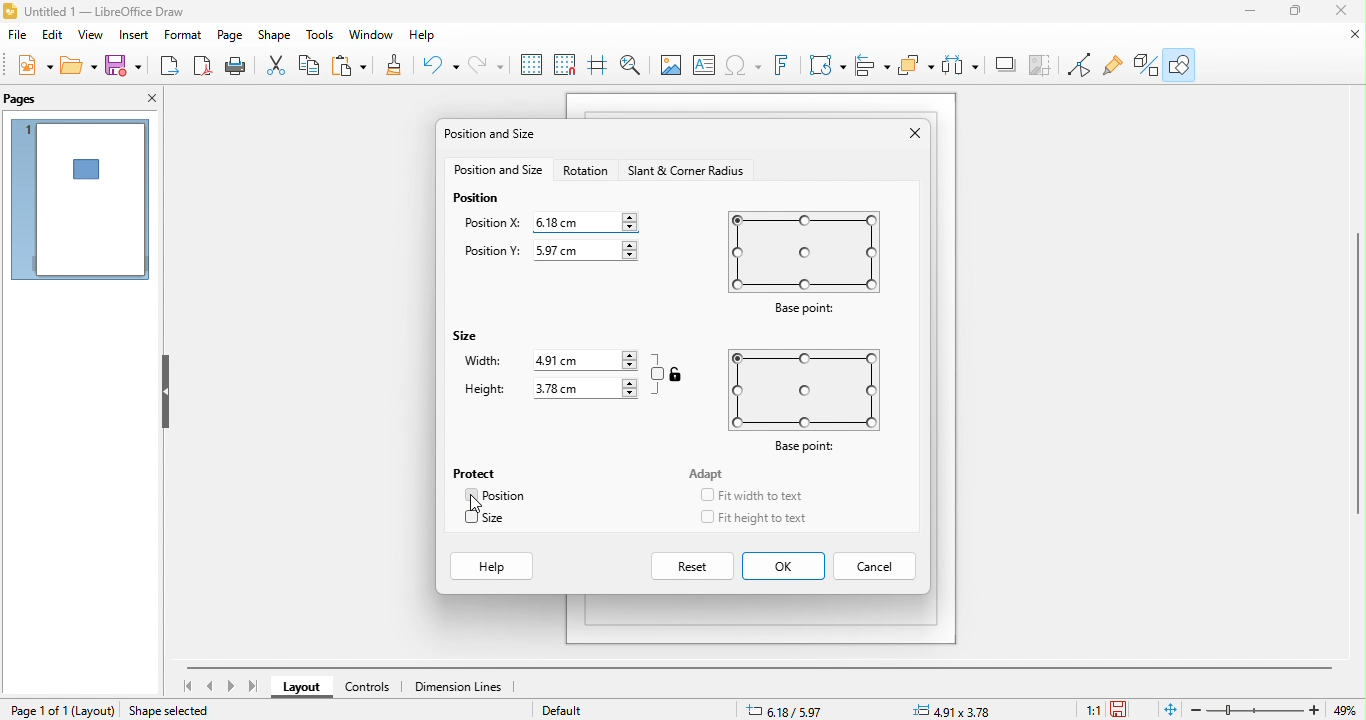 The height and width of the screenshot is (720, 1366). I want to click on the document has been modified since the last save, so click(1126, 709).